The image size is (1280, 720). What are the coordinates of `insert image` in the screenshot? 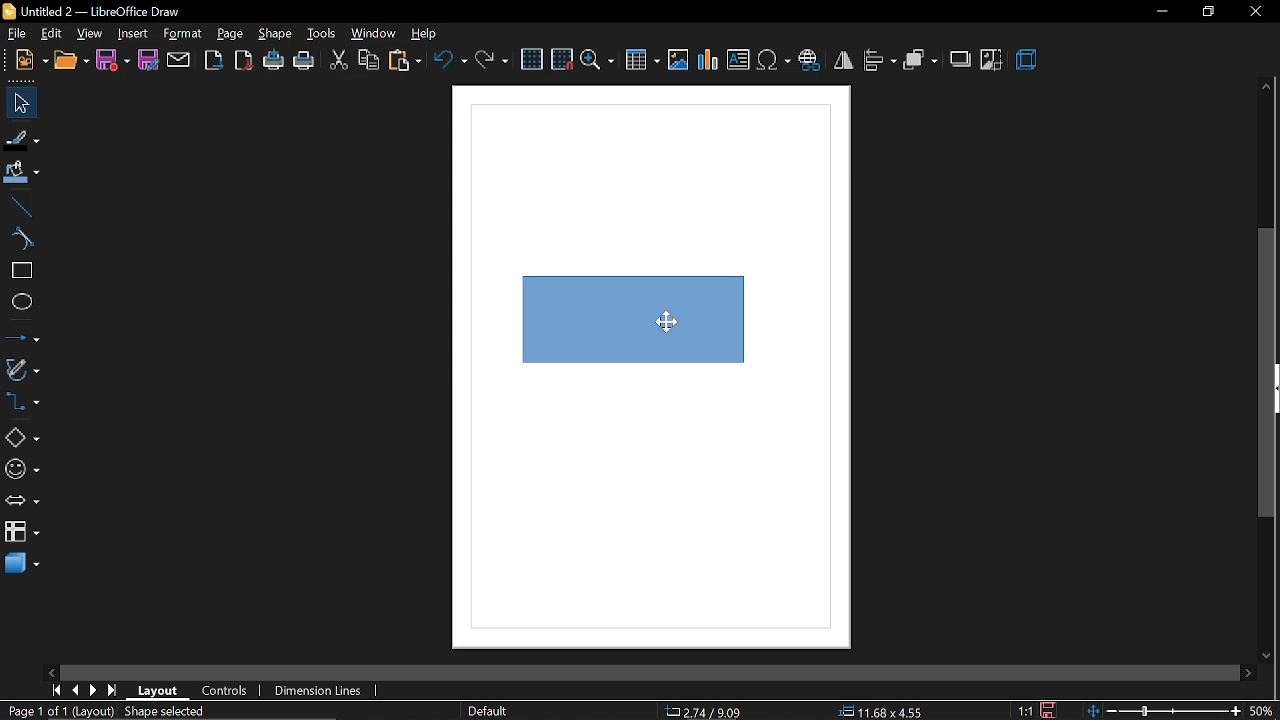 It's located at (678, 63).